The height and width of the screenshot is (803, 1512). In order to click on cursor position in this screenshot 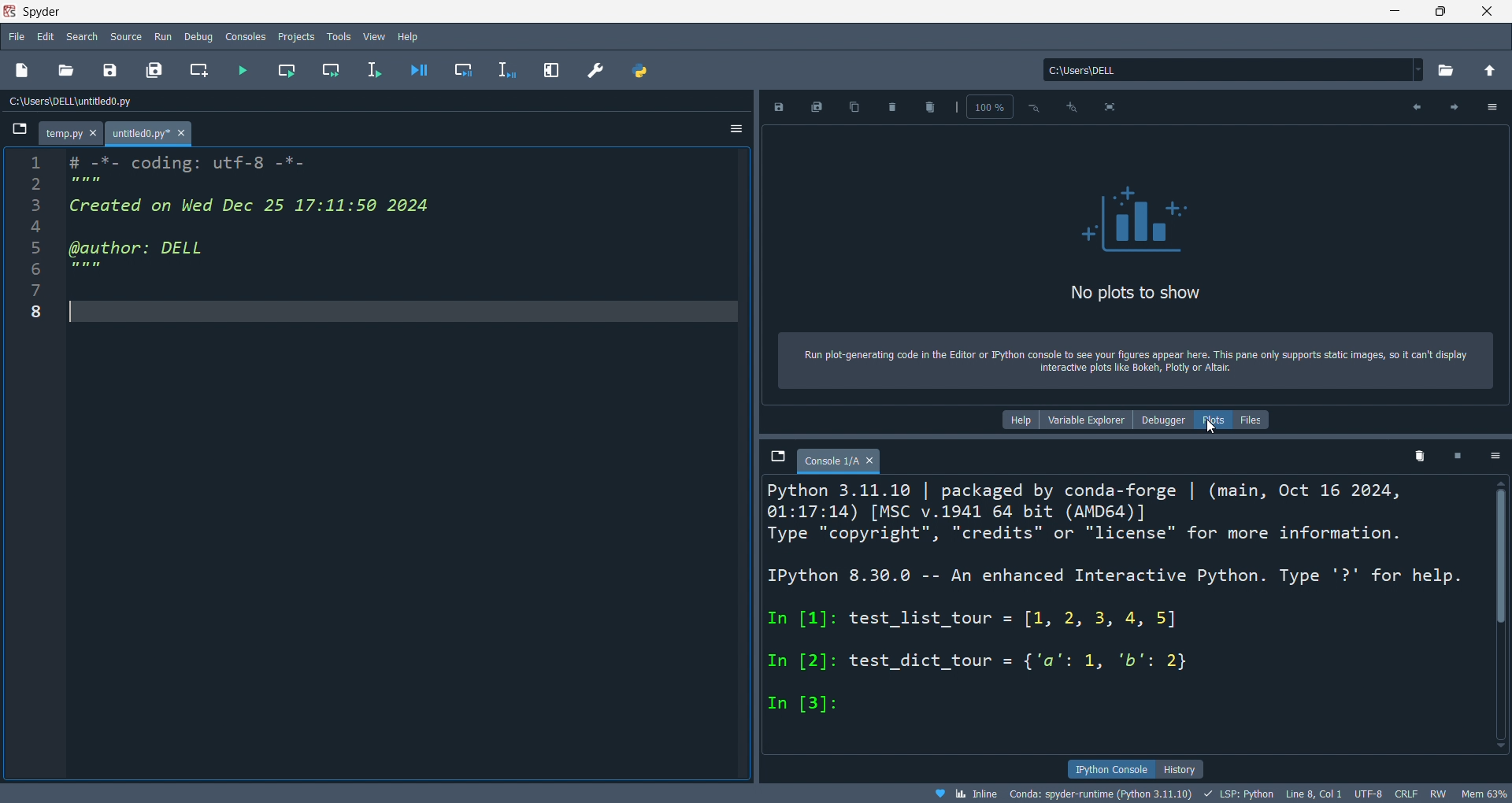, I will do `click(1310, 794)`.